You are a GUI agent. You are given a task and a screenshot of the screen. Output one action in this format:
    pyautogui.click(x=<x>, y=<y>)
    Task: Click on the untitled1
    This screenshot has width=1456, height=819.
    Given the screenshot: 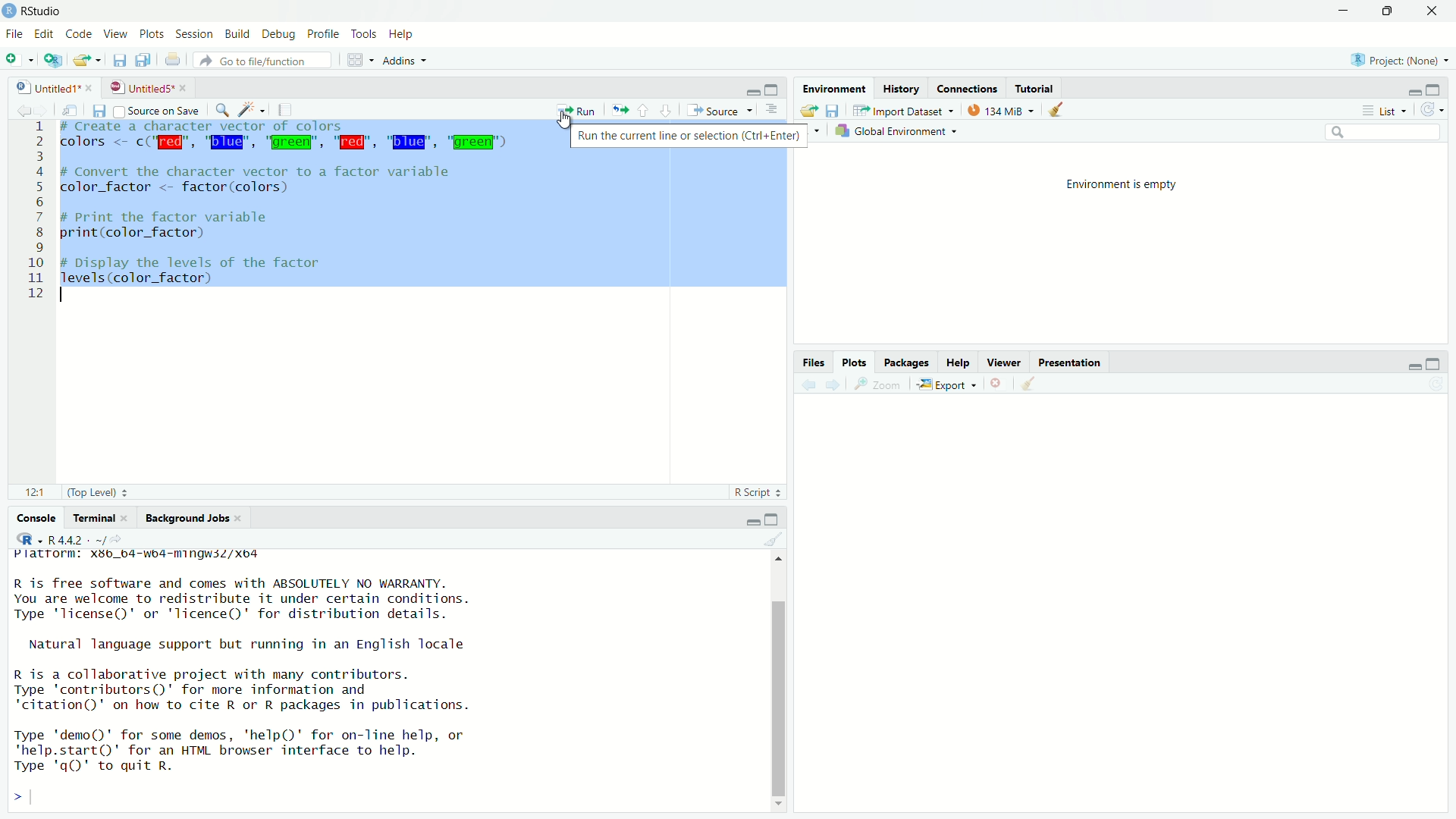 What is the action you would take?
    pyautogui.click(x=39, y=88)
    